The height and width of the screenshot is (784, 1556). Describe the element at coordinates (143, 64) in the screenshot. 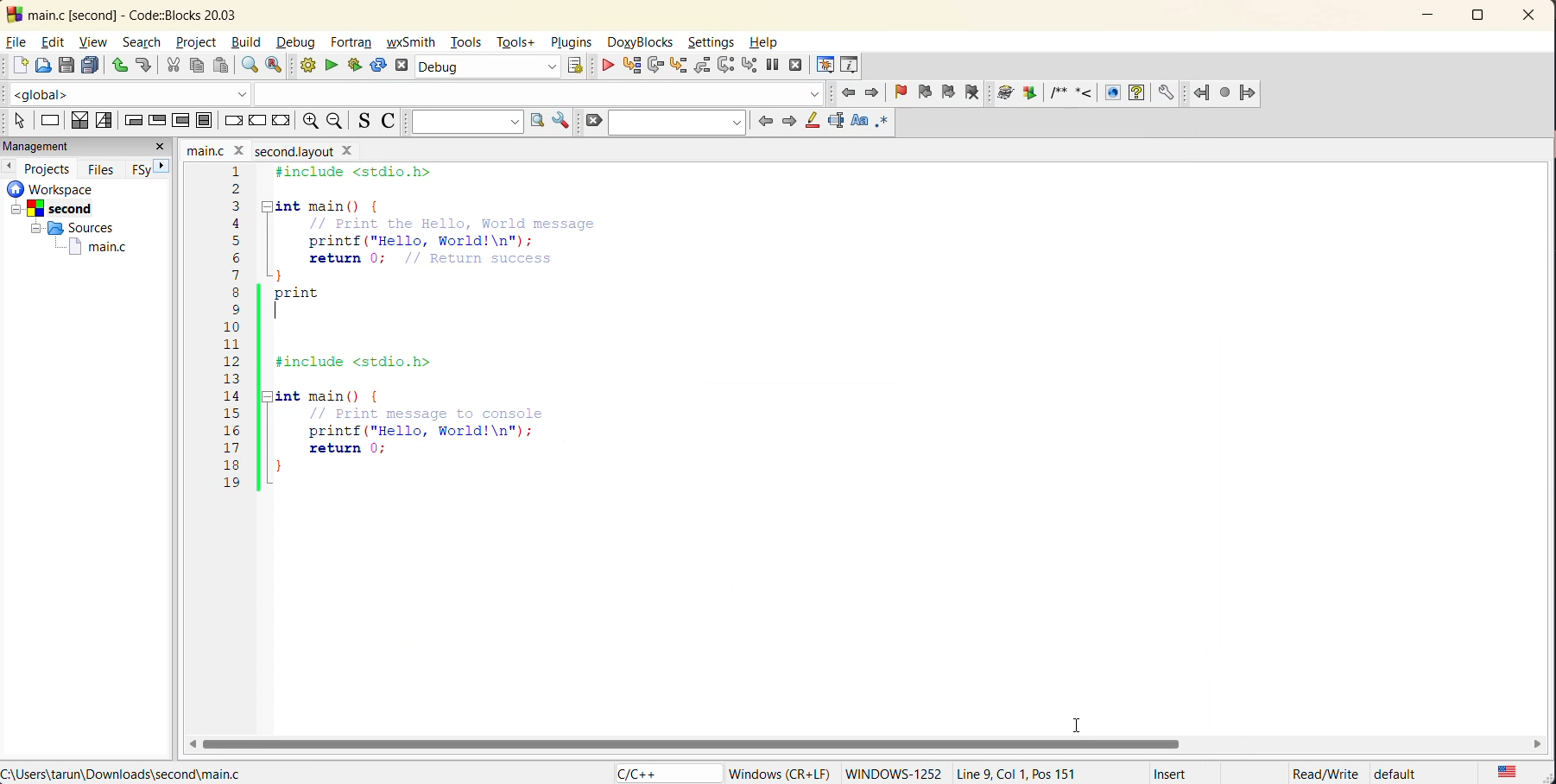

I see `redo` at that location.